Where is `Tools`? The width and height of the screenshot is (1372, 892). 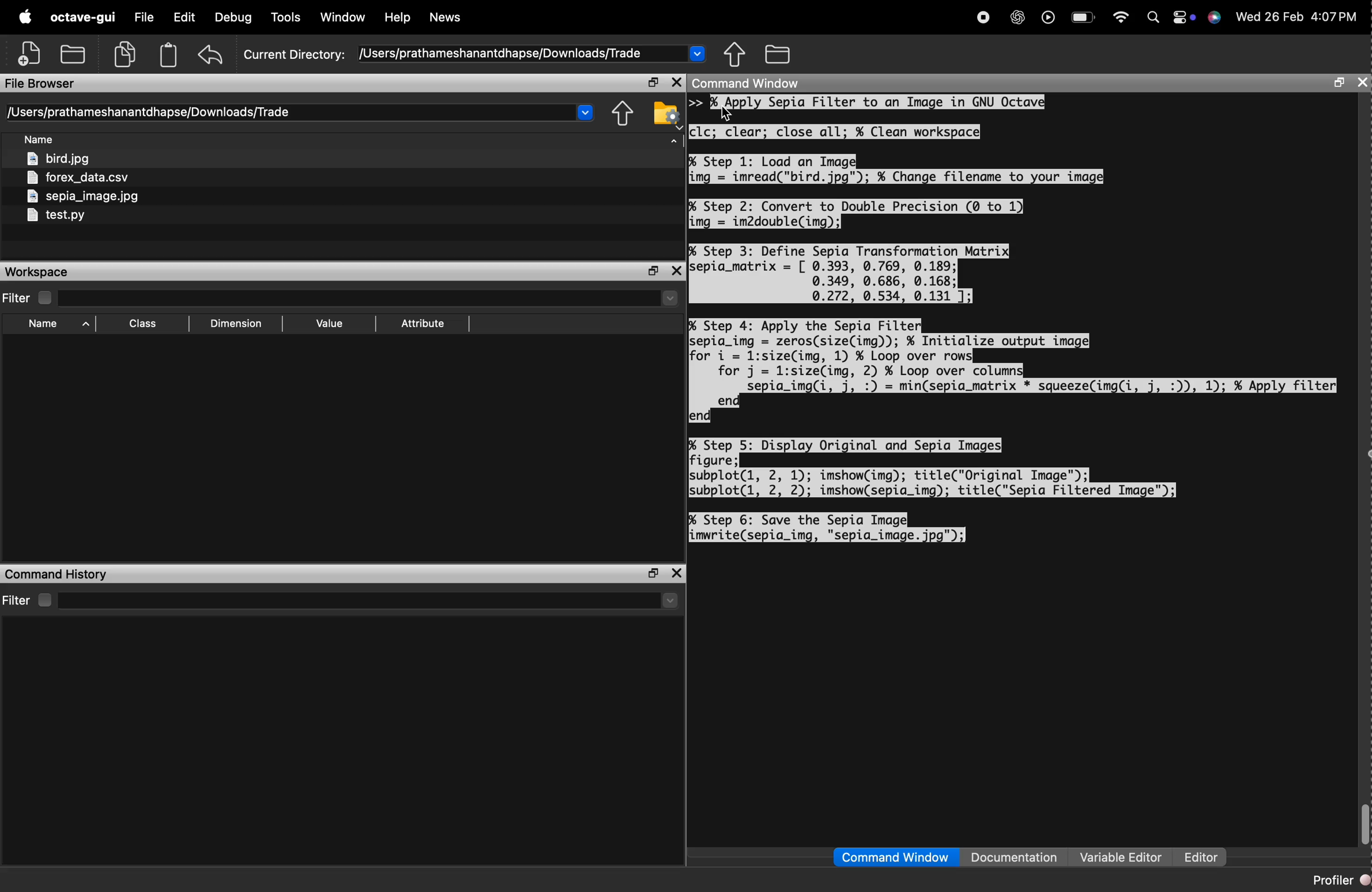 Tools is located at coordinates (287, 18).